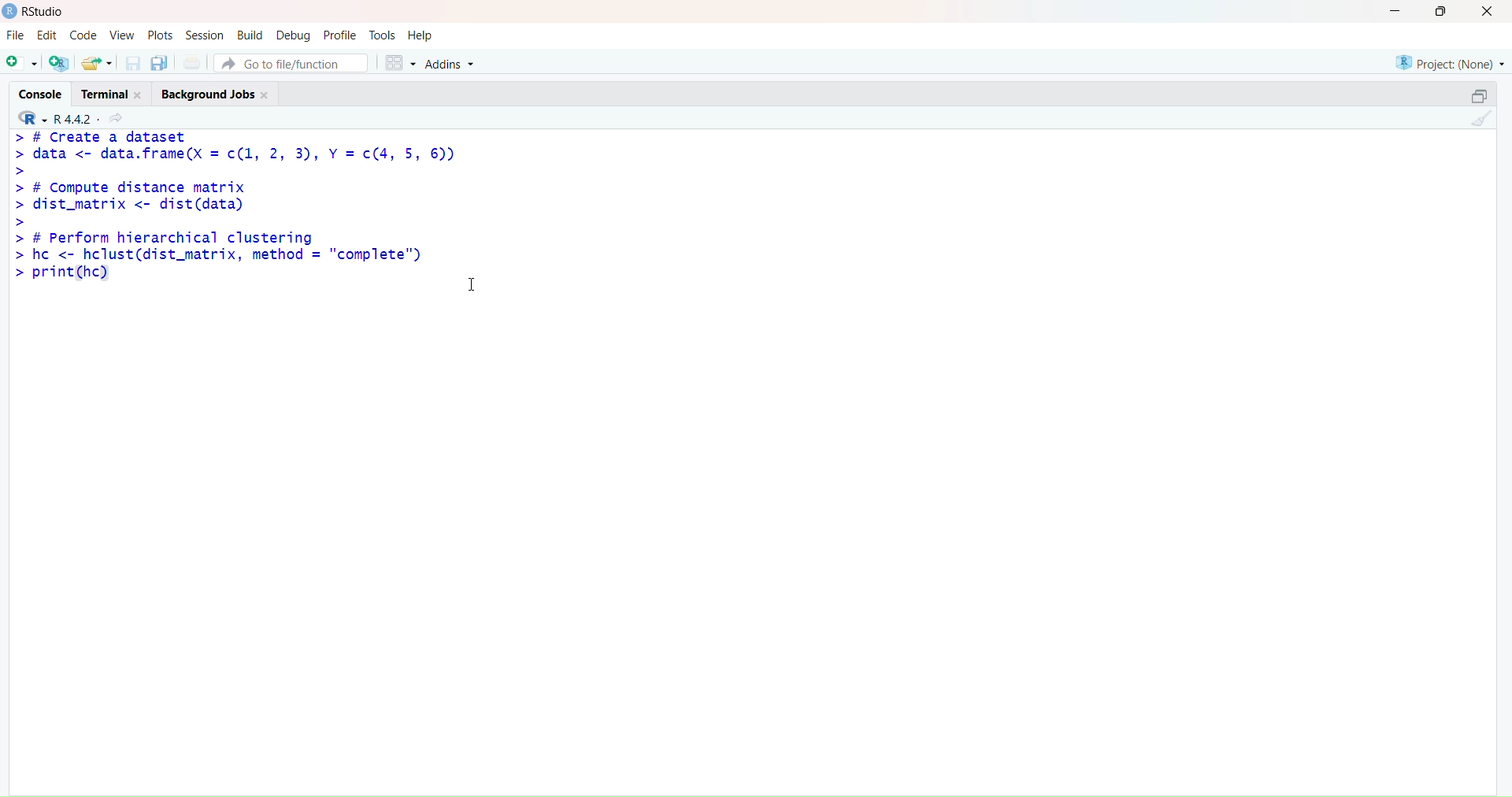  I want to click on RStudio, so click(39, 13).